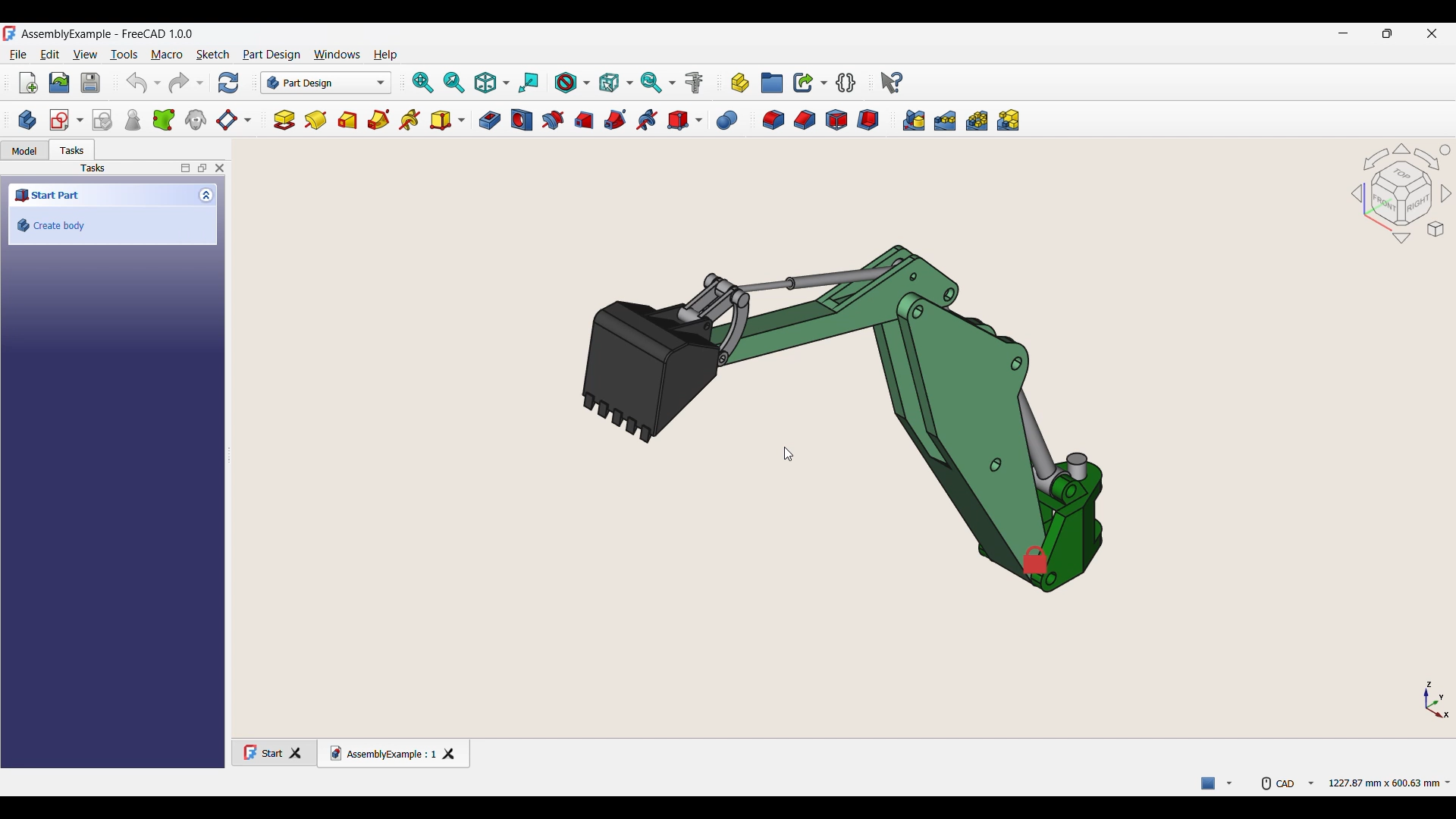  What do you see at coordinates (124, 55) in the screenshot?
I see `Tools menu` at bounding box center [124, 55].